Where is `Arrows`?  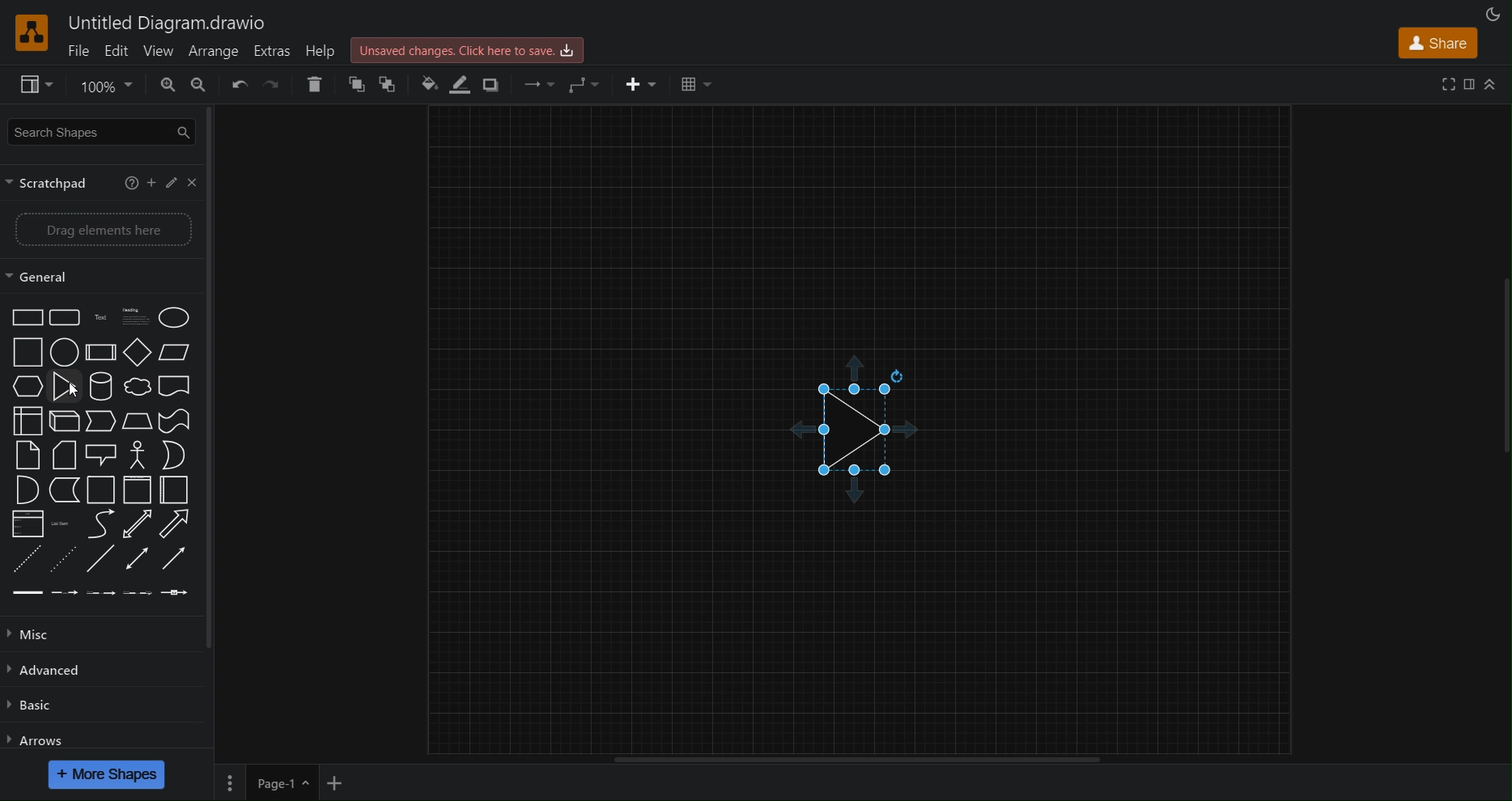 Arrows is located at coordinates (40, 741).